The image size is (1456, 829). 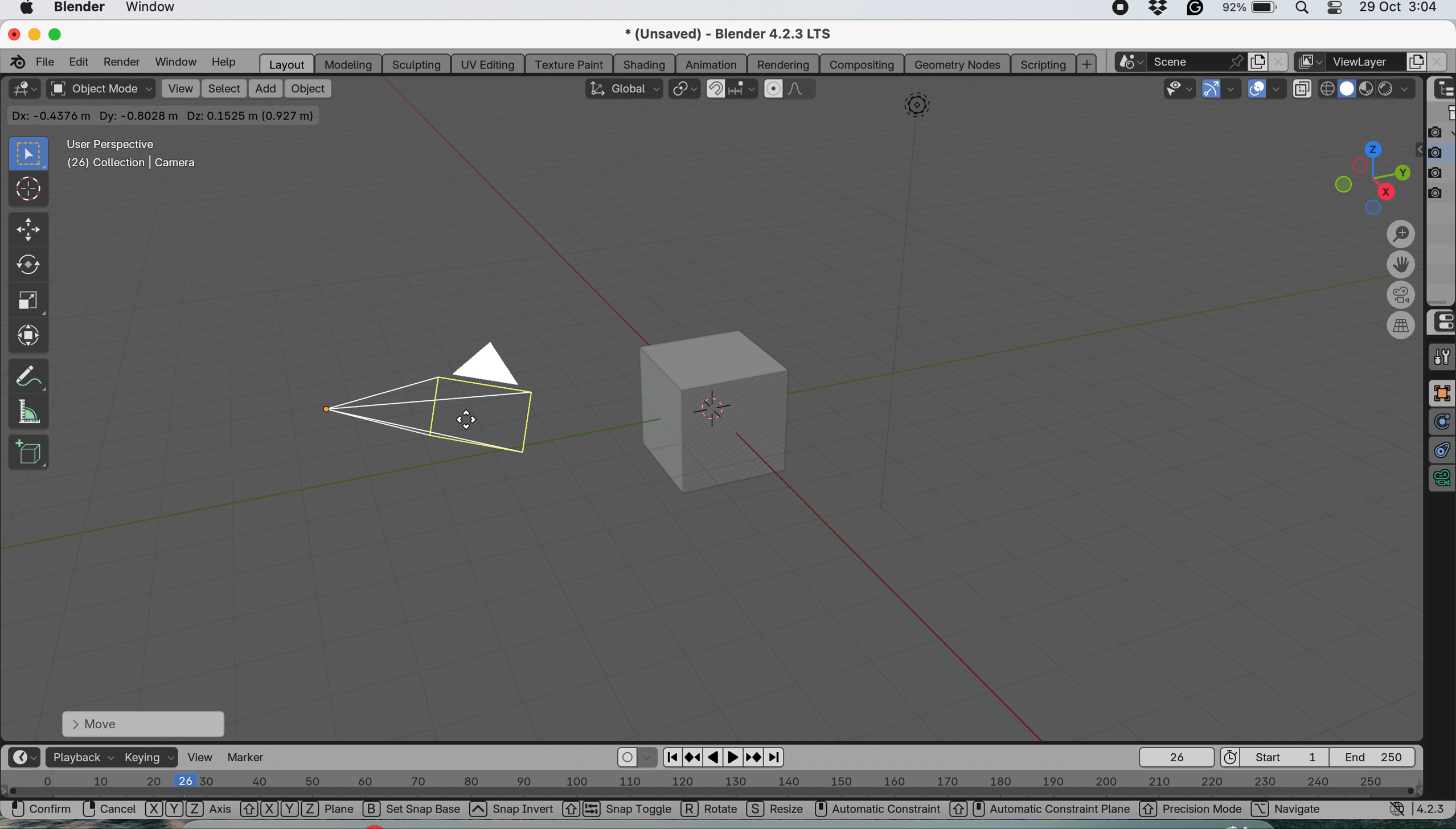 What do you see at coordinates (1398, 91) in the screenshot?
I see `drop down` at bounding box center [1398, 91].